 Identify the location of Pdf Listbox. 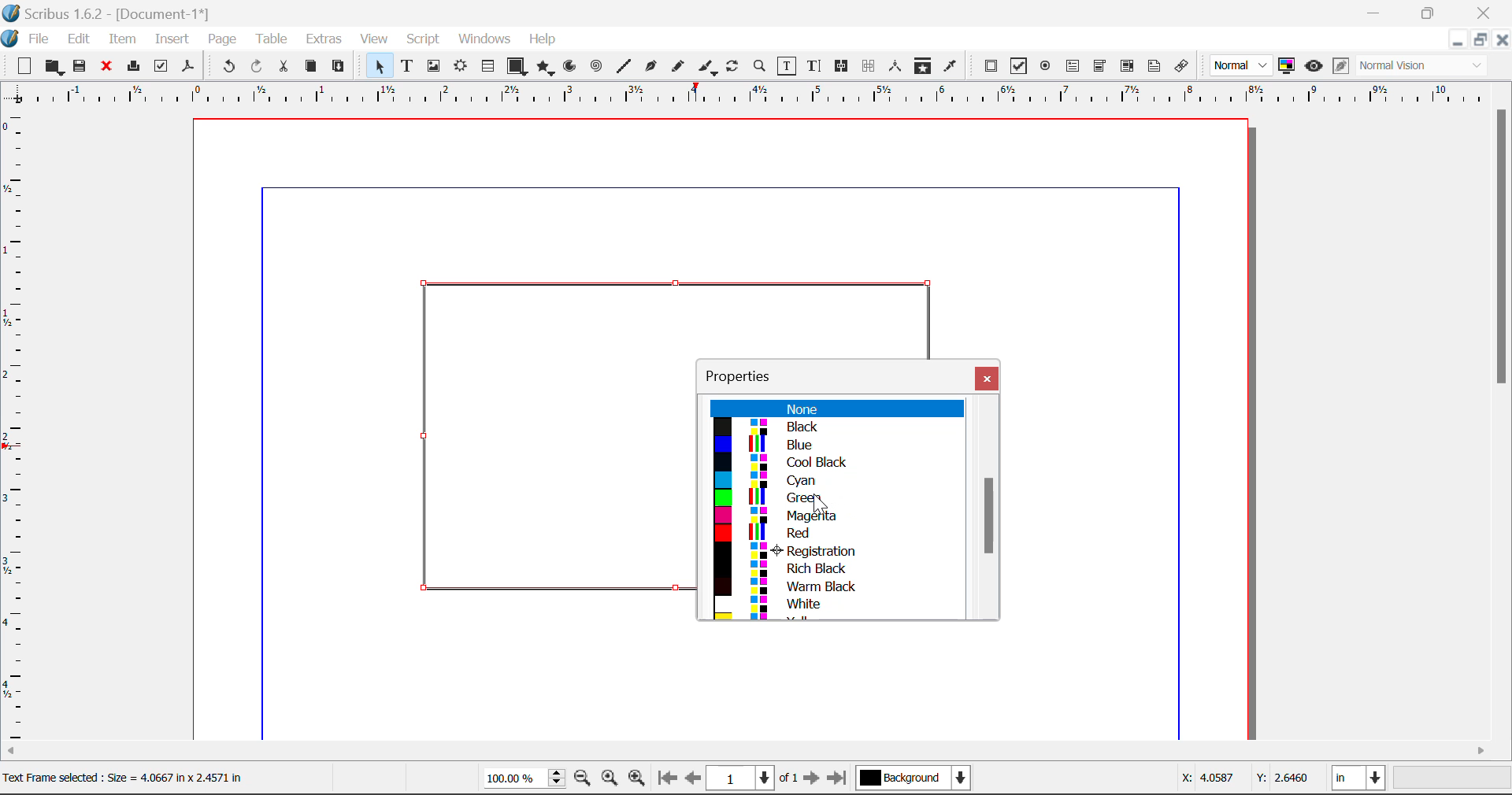
(1125, 66).